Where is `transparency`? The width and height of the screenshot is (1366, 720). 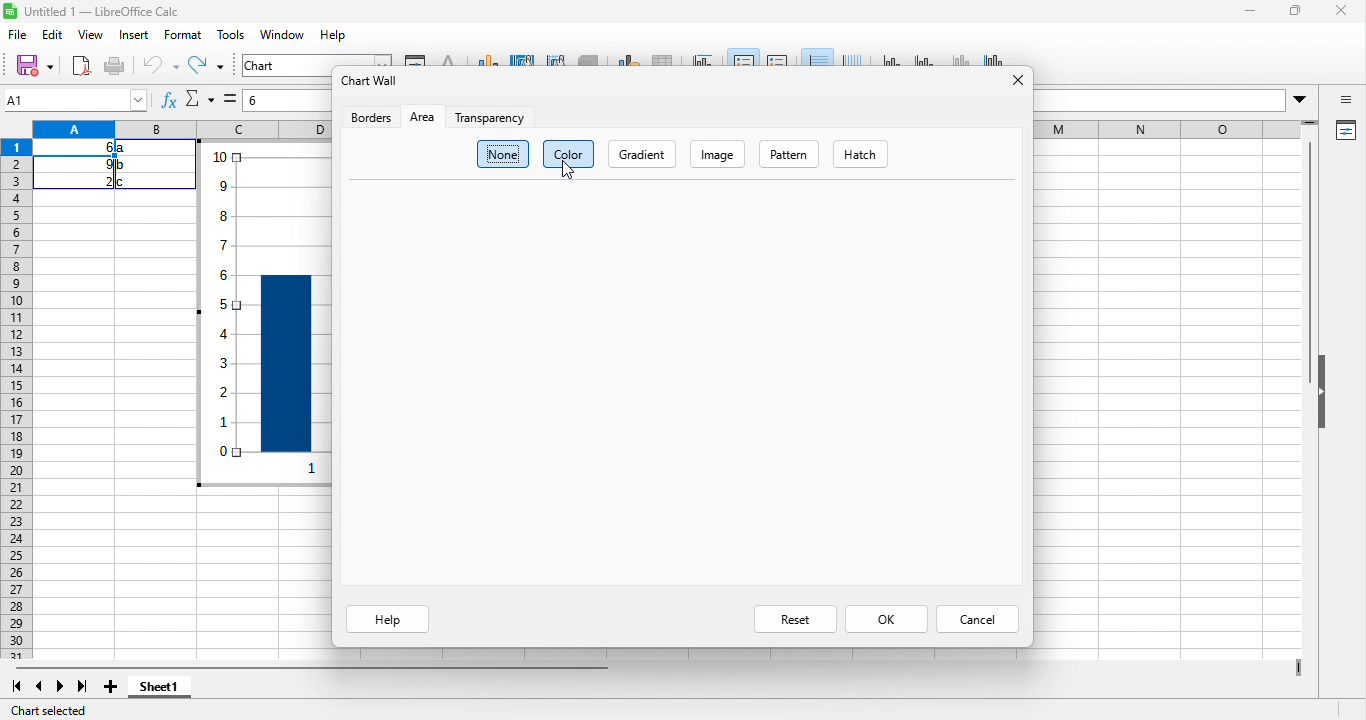 transparency is located at coordinates (494, 121).